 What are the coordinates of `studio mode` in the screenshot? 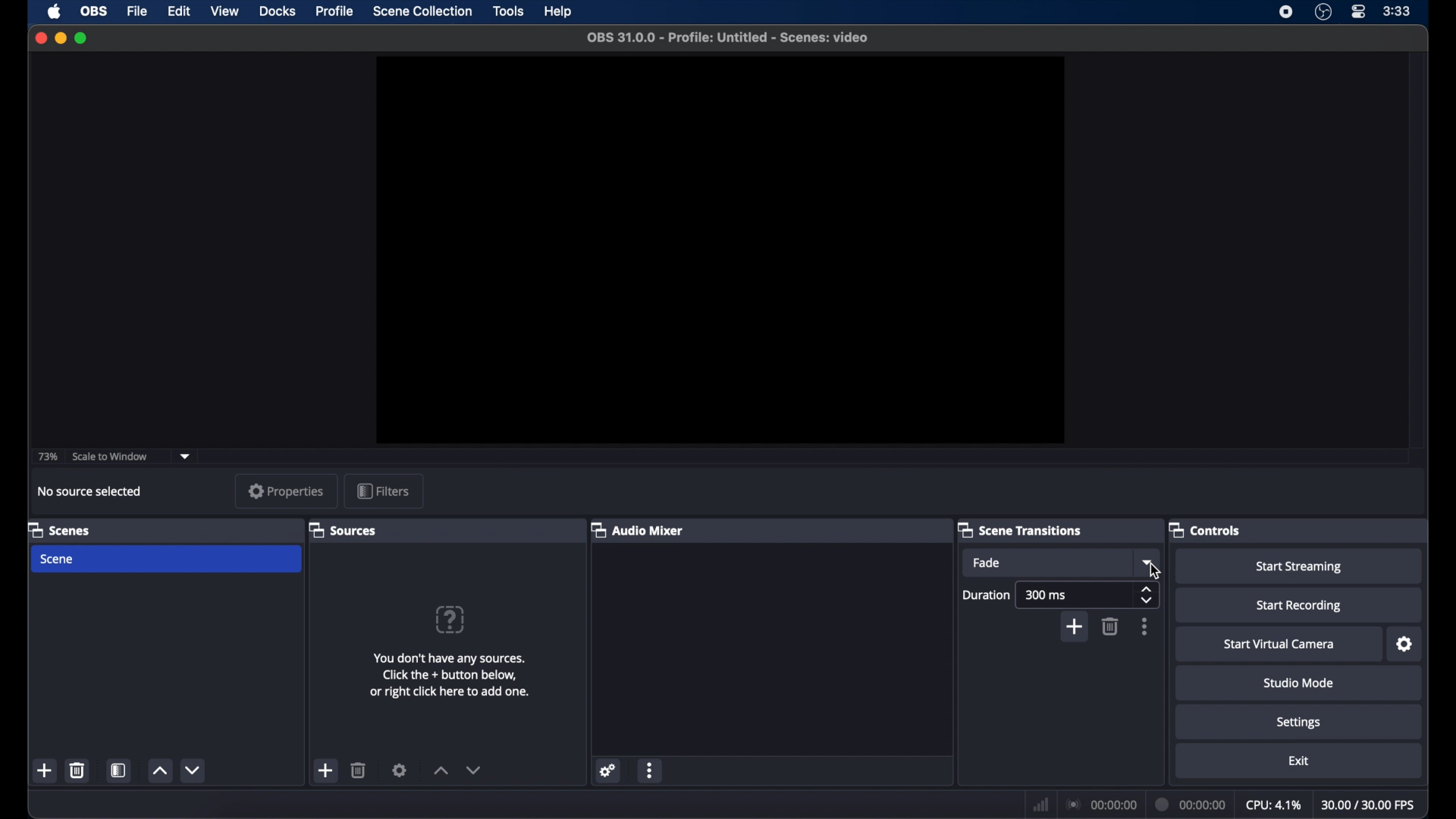 It's located at (1300, 683).